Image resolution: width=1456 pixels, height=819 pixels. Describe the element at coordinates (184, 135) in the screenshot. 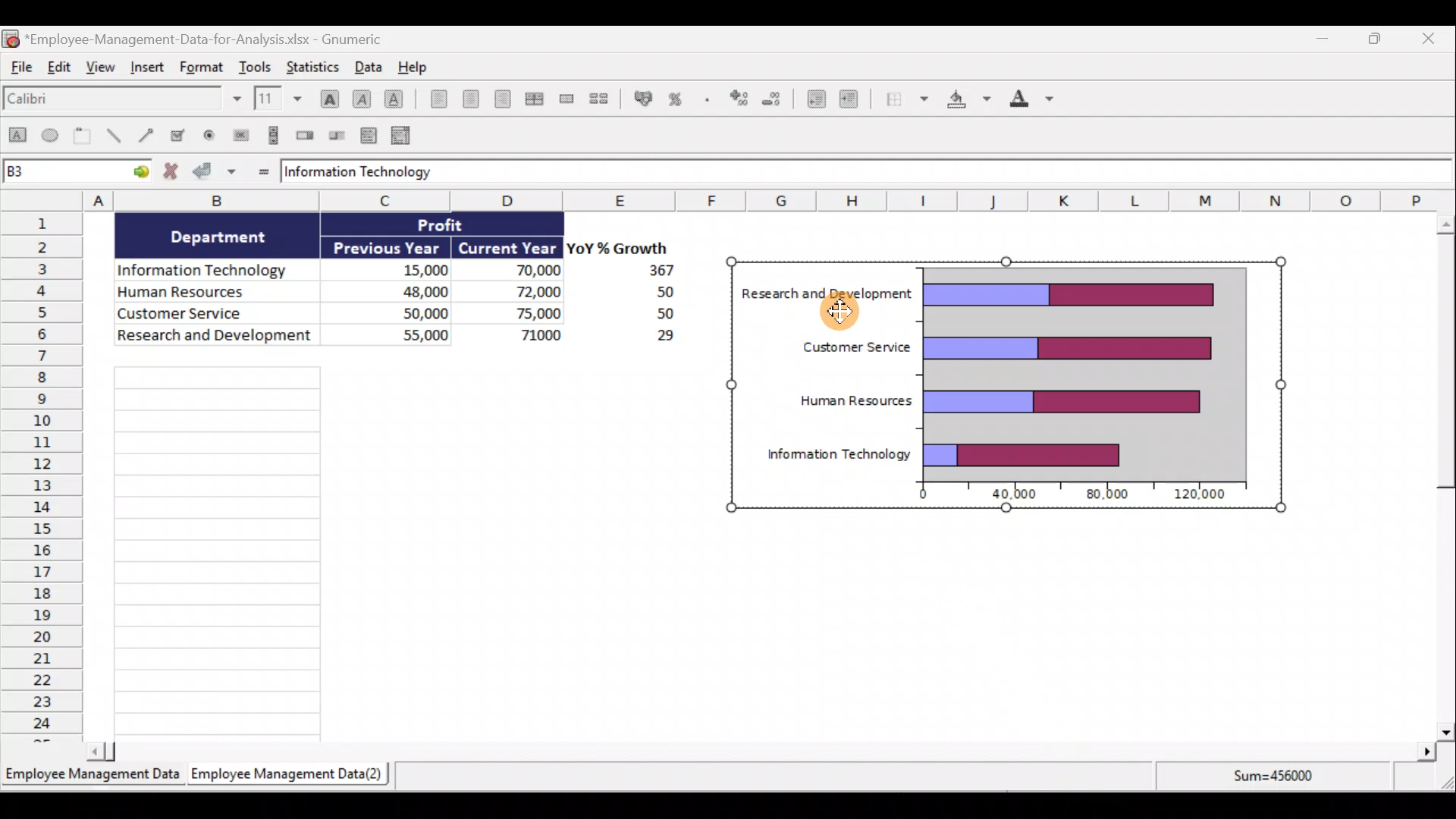

I see `Create a checkbox` at that location.